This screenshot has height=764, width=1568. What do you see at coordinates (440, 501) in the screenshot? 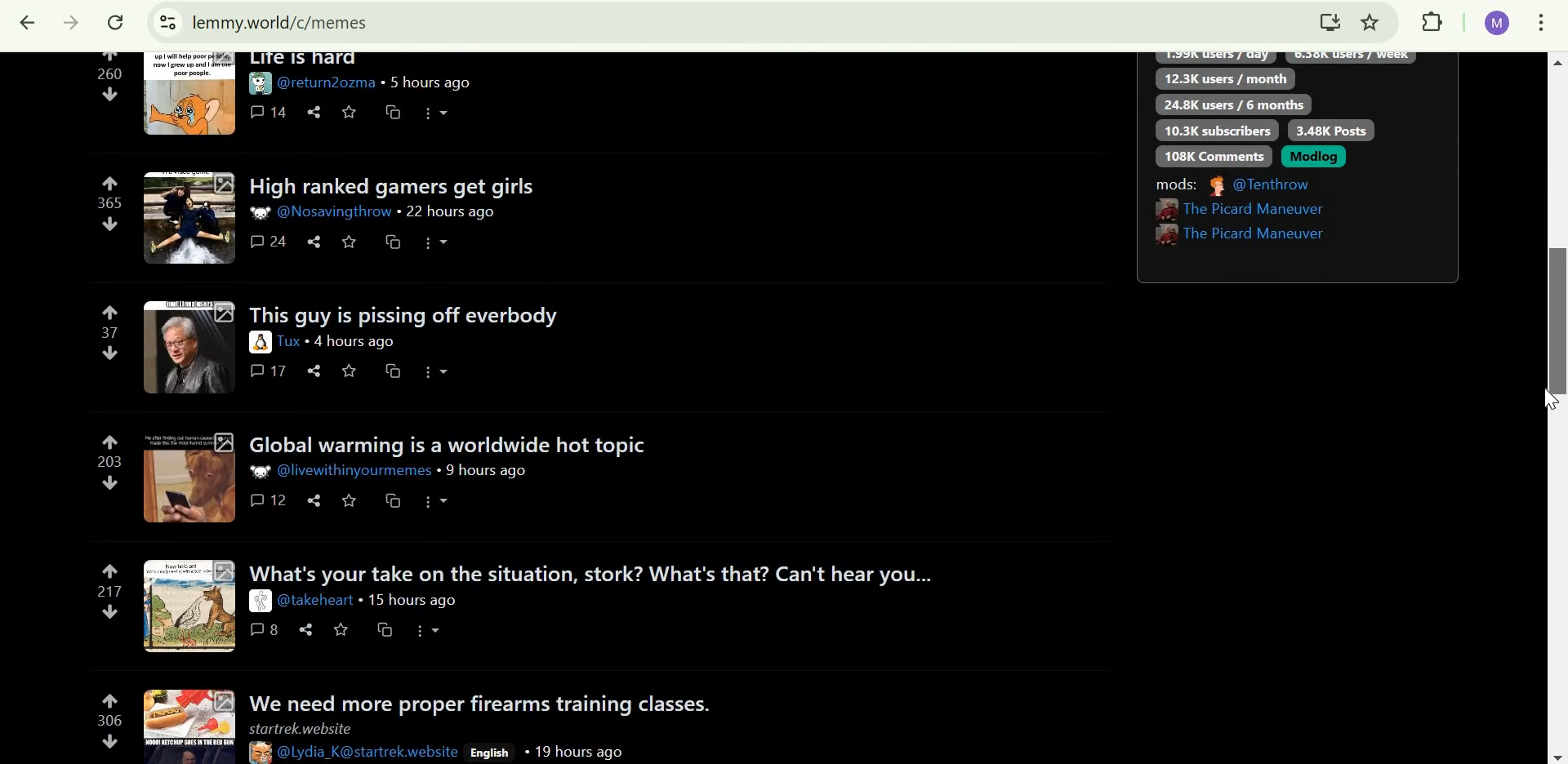
I see `icons` at bounding box center [440, 501].